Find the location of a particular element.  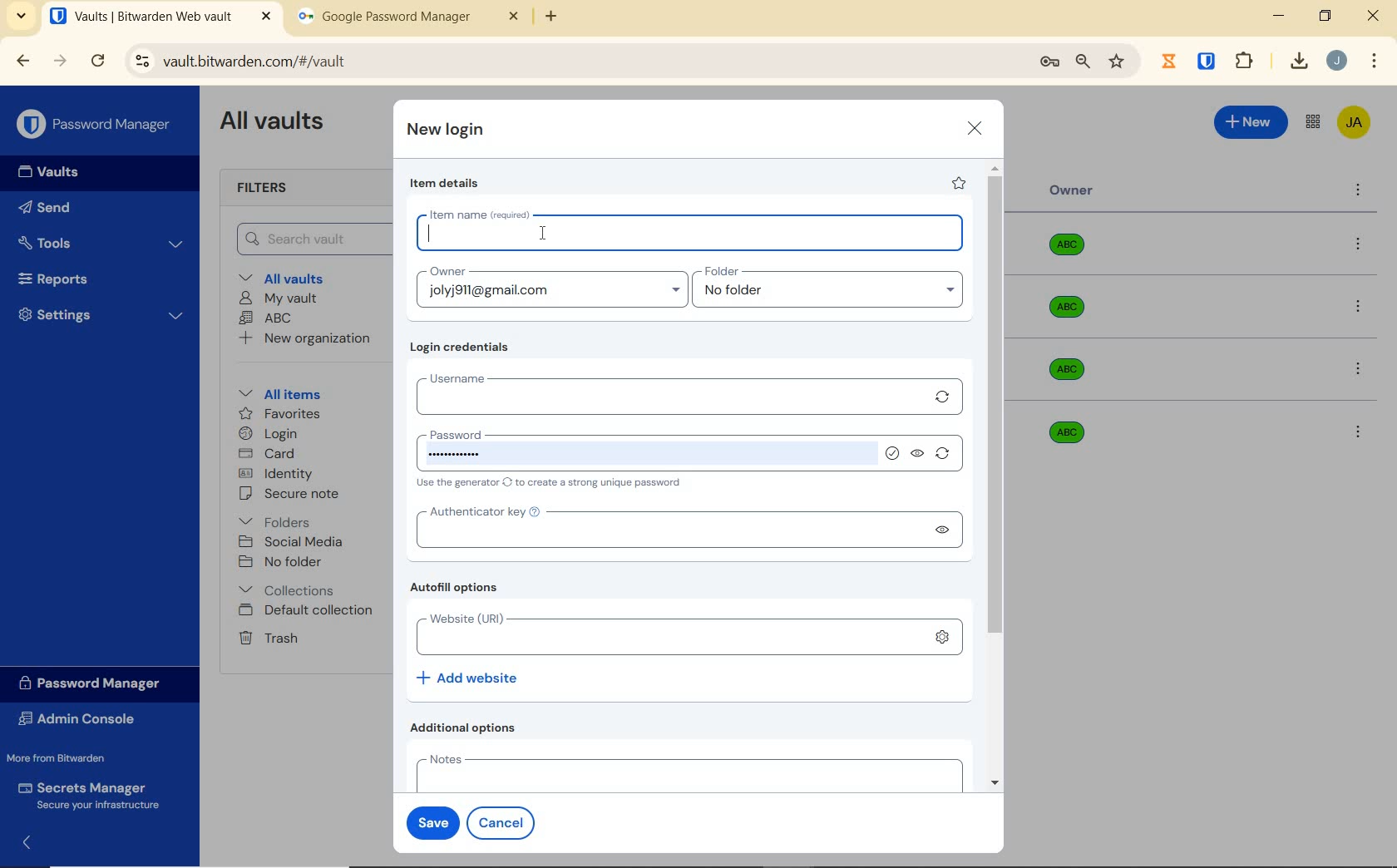

Login credentials is located at coordinates (463, 348).